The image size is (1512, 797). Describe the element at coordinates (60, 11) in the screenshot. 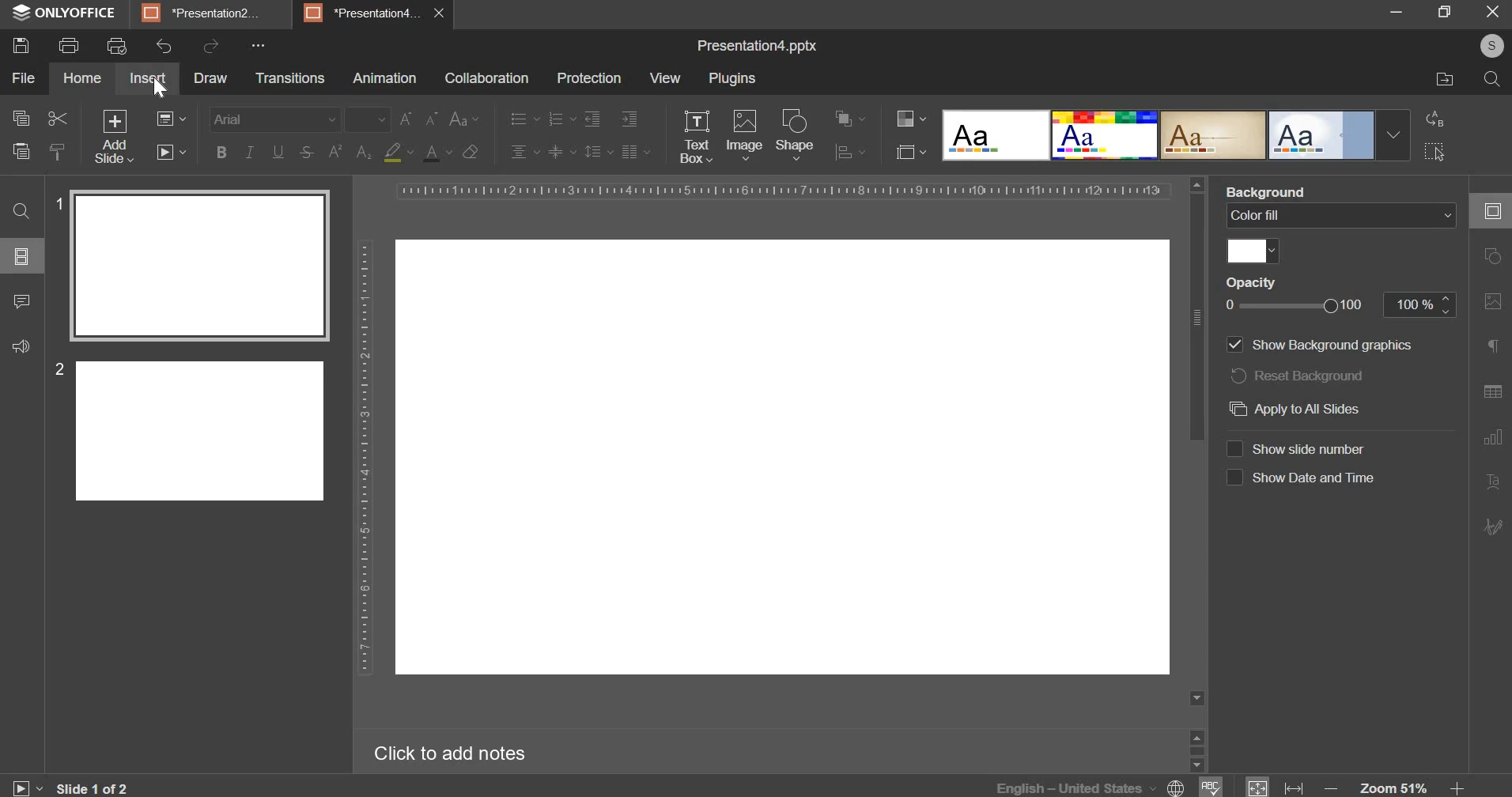

I see `ONLYOFFICE` at that location.